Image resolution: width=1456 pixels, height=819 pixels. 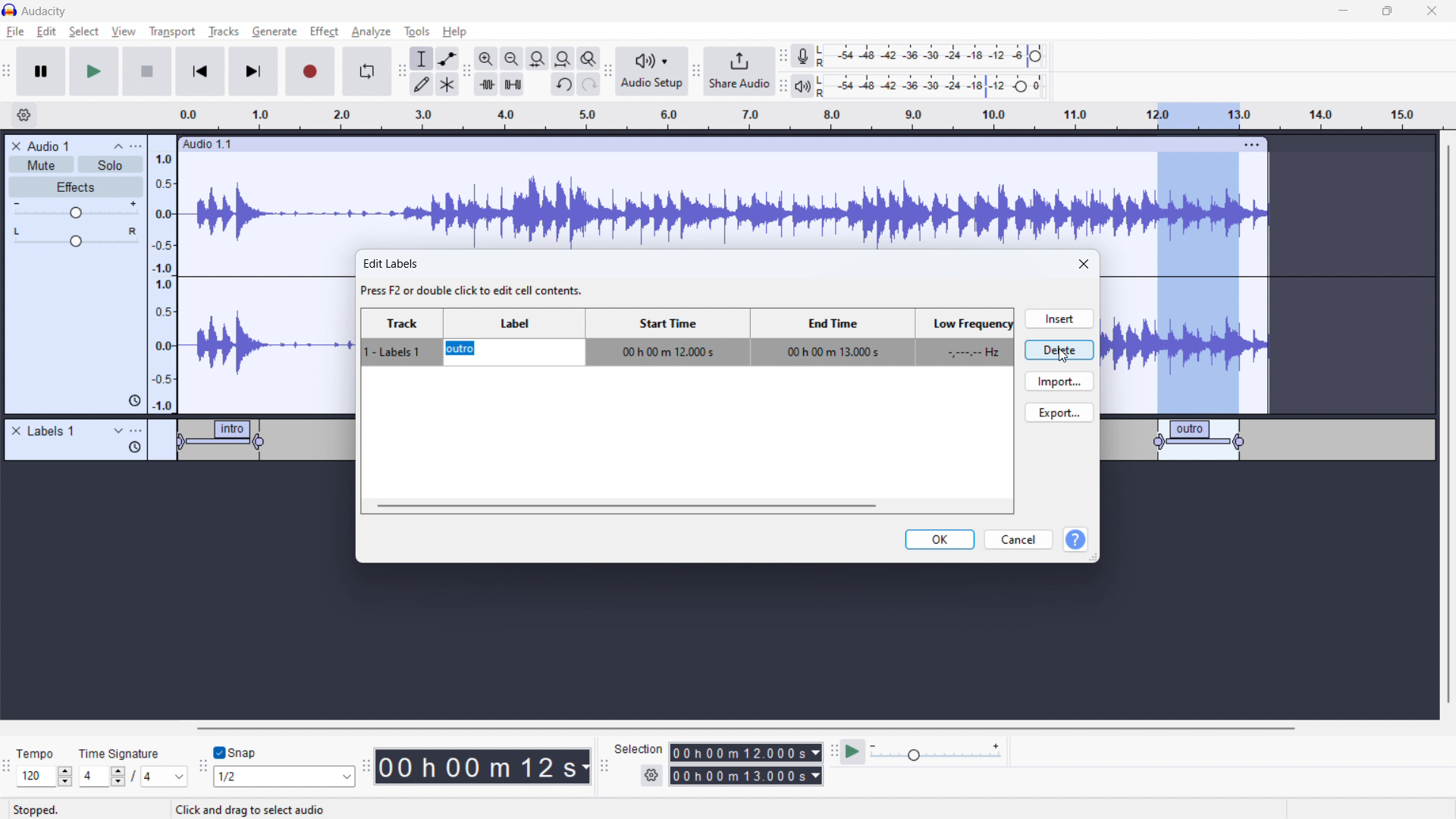 What do you see at coordinates (824, 58) in the screenshot?
I see `left and right channels` at bounding box center [824, 58].